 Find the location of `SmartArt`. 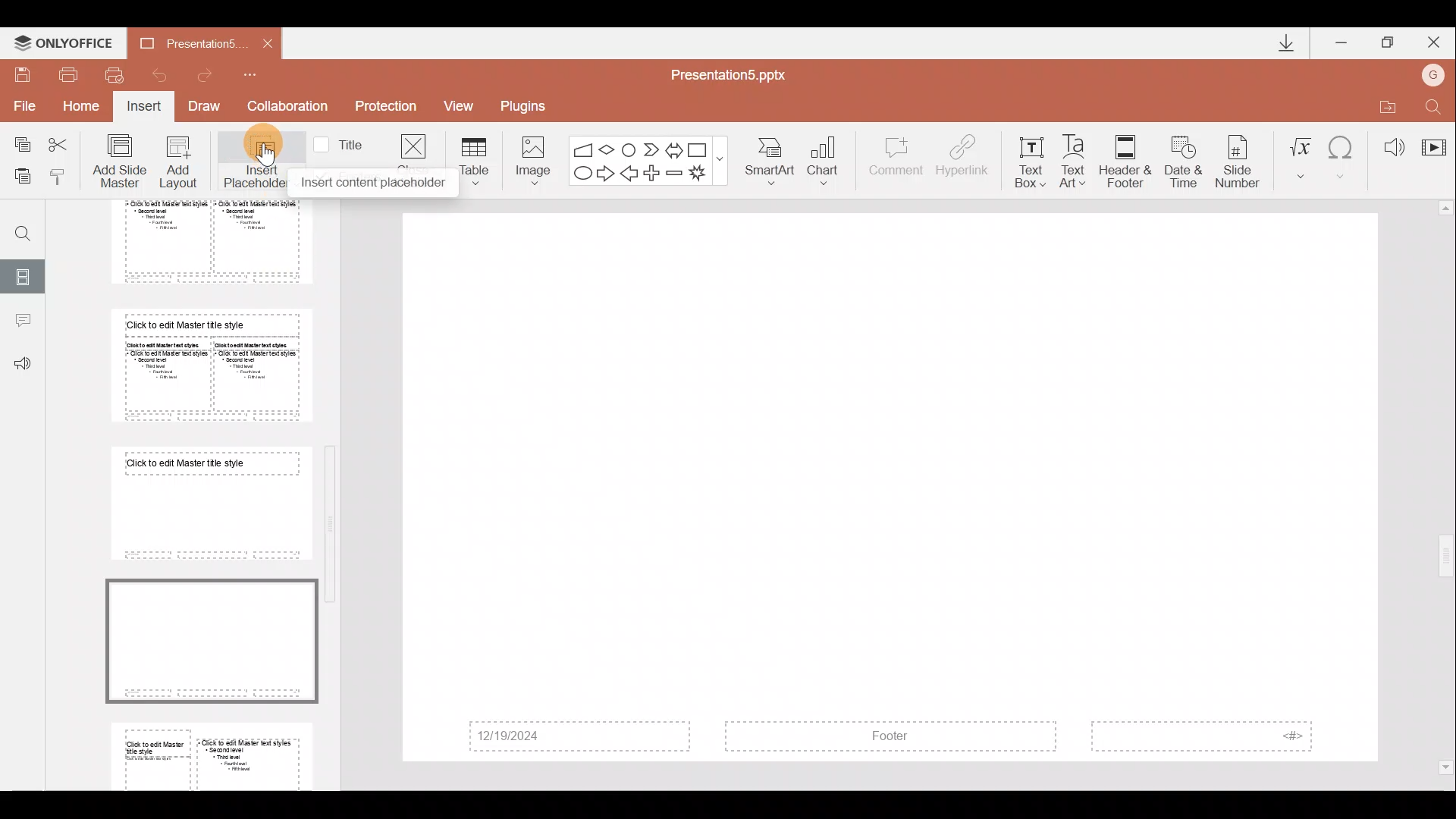

SmartArt is located at coordinates (773, 162).